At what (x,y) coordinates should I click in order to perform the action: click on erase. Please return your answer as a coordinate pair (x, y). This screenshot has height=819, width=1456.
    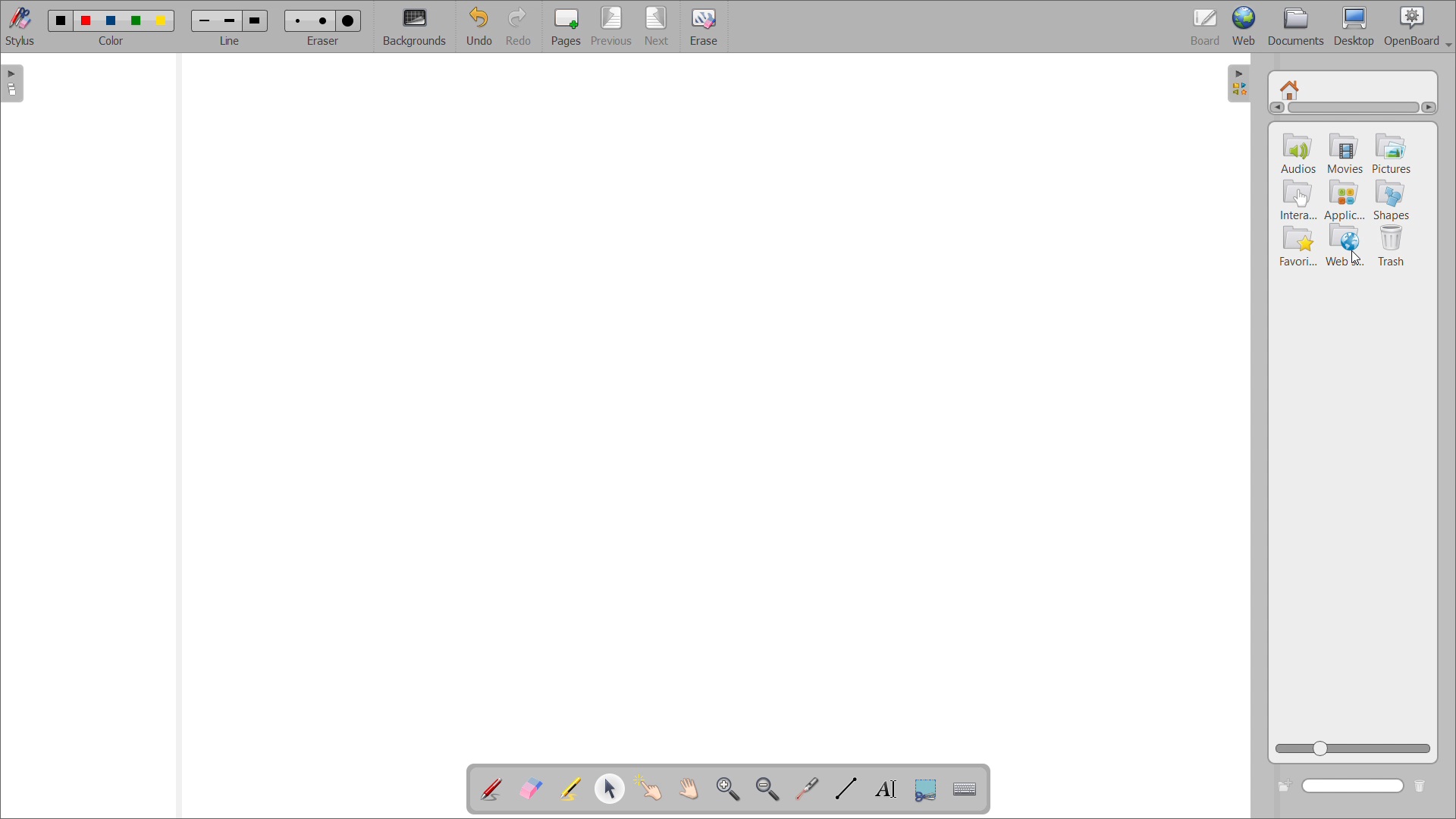
    Looking at the image, I should click on (703, 26).